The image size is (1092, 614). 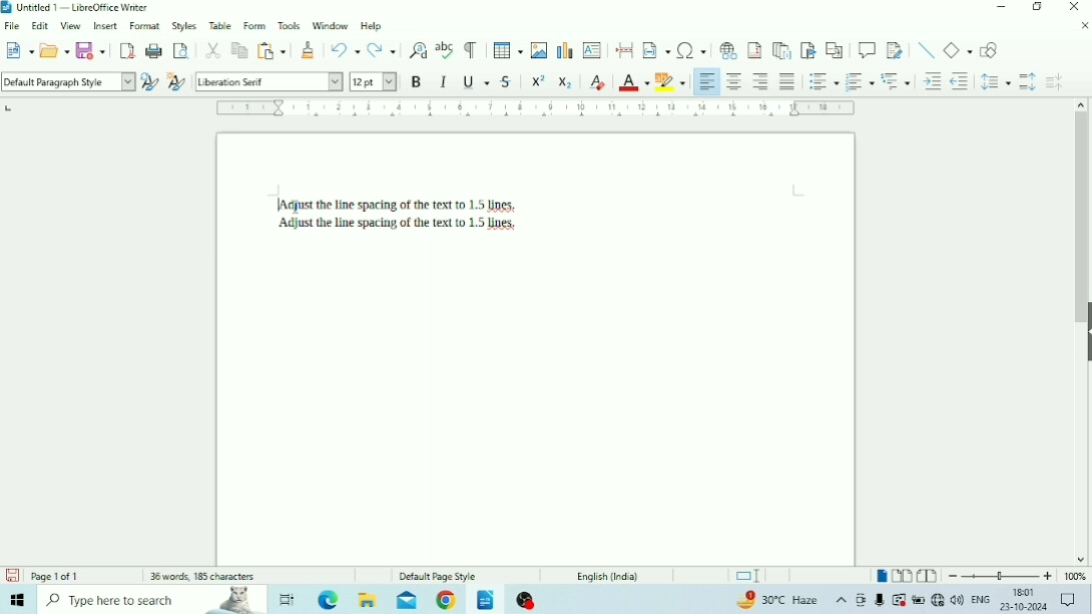 I want to click on Save, so click(x=12, y=575).